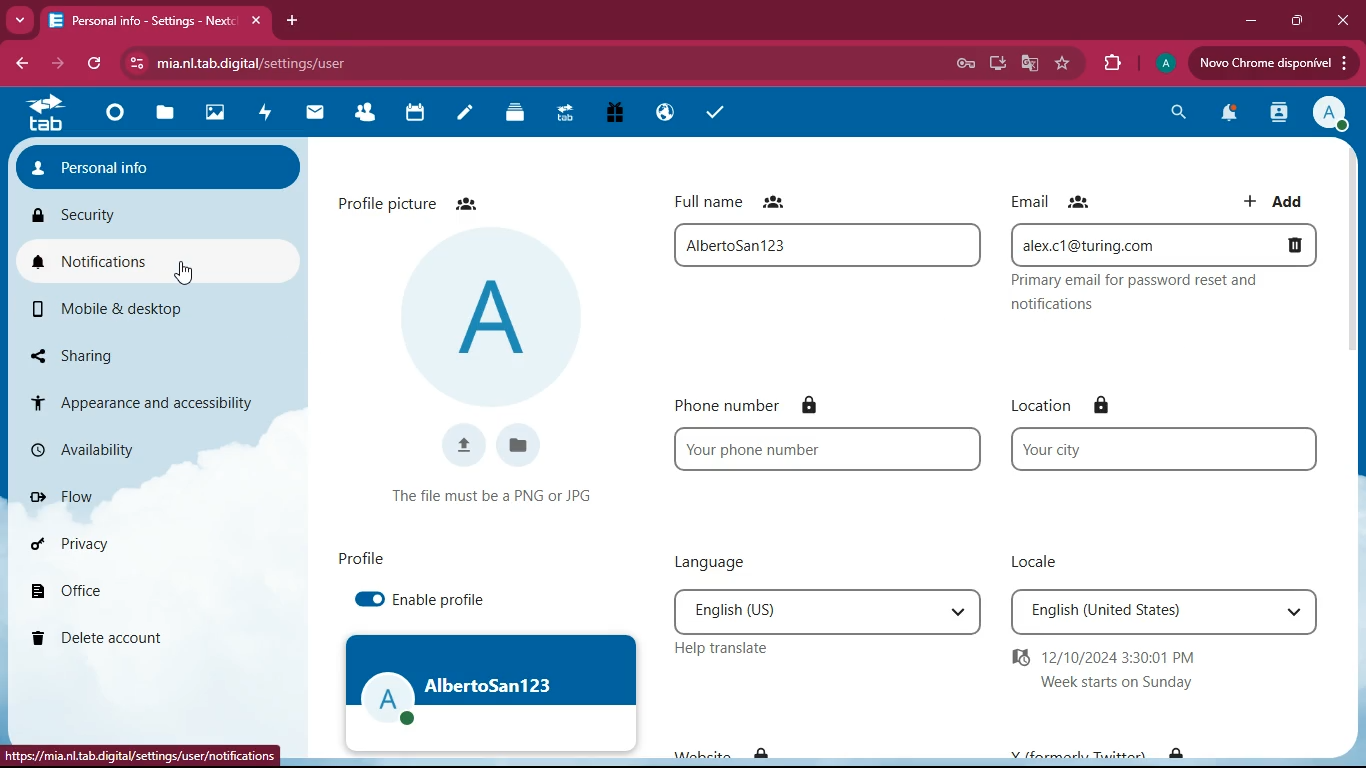 The width and height of the screenshot is (1366, 768). I want to click on notifications, so click(147, 262).